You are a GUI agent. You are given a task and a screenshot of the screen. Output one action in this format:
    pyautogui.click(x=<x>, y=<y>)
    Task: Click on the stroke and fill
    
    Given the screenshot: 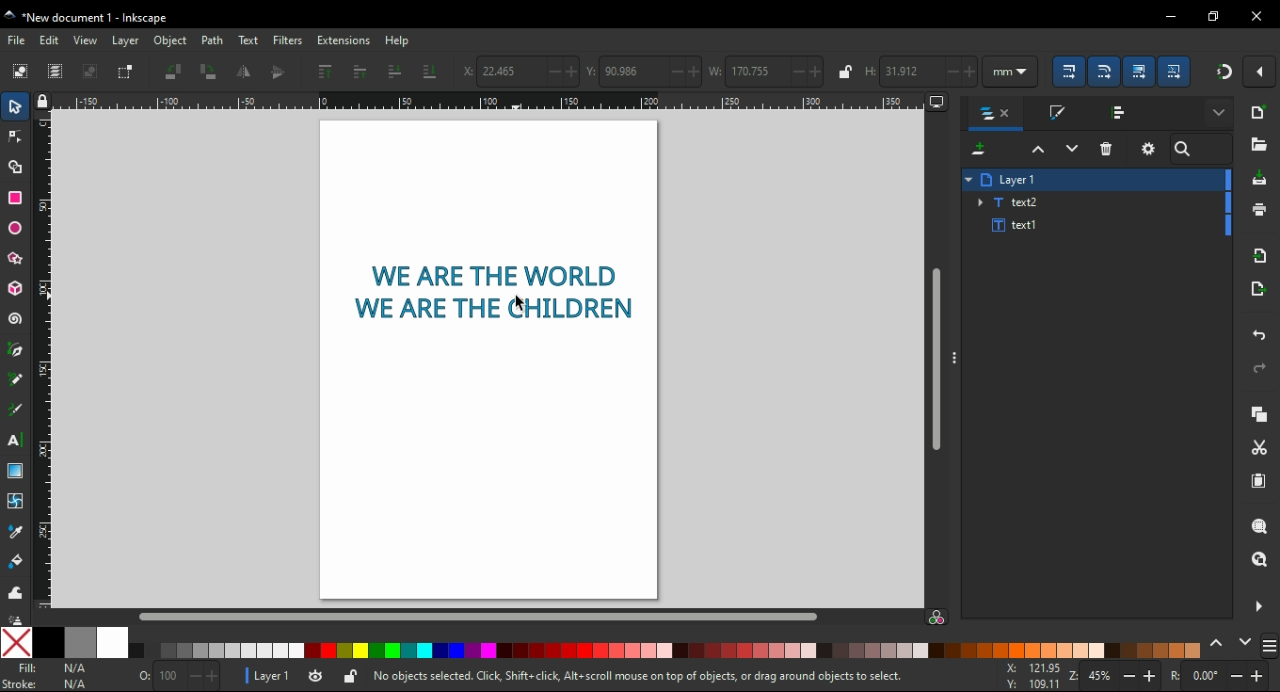 What is the action you would take?
    pyautogui.click(x=1057, y=112)
    